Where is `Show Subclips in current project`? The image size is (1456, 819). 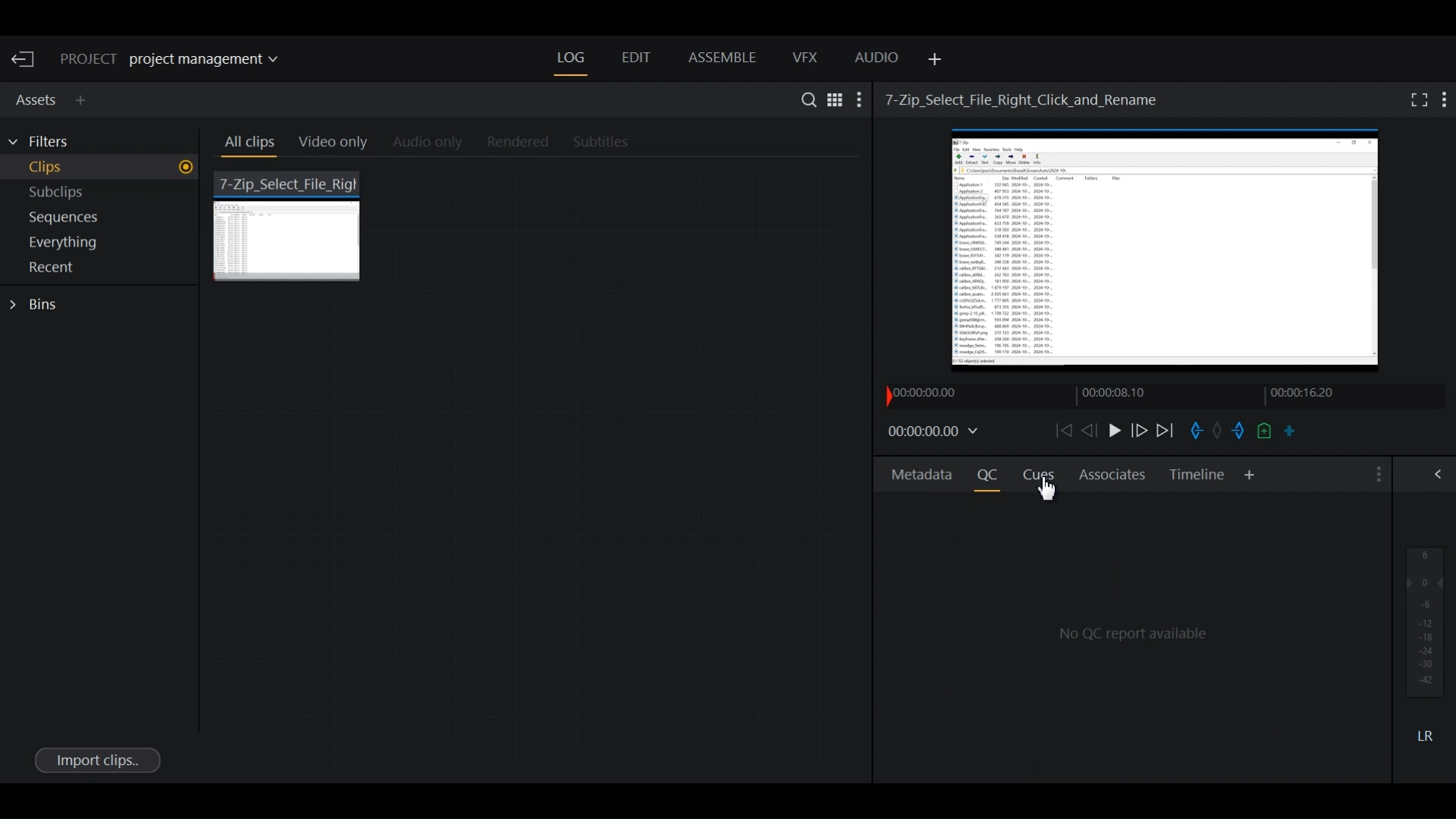 Show Subclips in current project is located at coordinates (103, 195).